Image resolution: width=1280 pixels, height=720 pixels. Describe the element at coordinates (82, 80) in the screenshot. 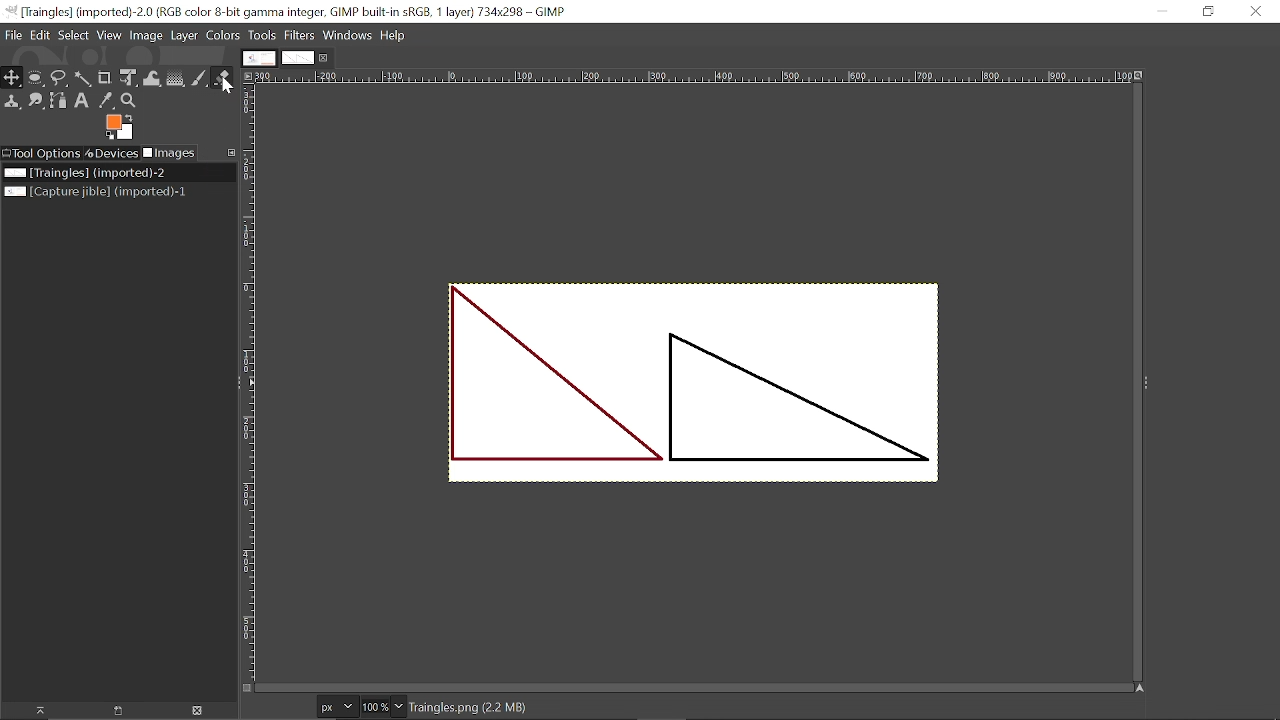

I see `Fuzzy select tool` at that location.